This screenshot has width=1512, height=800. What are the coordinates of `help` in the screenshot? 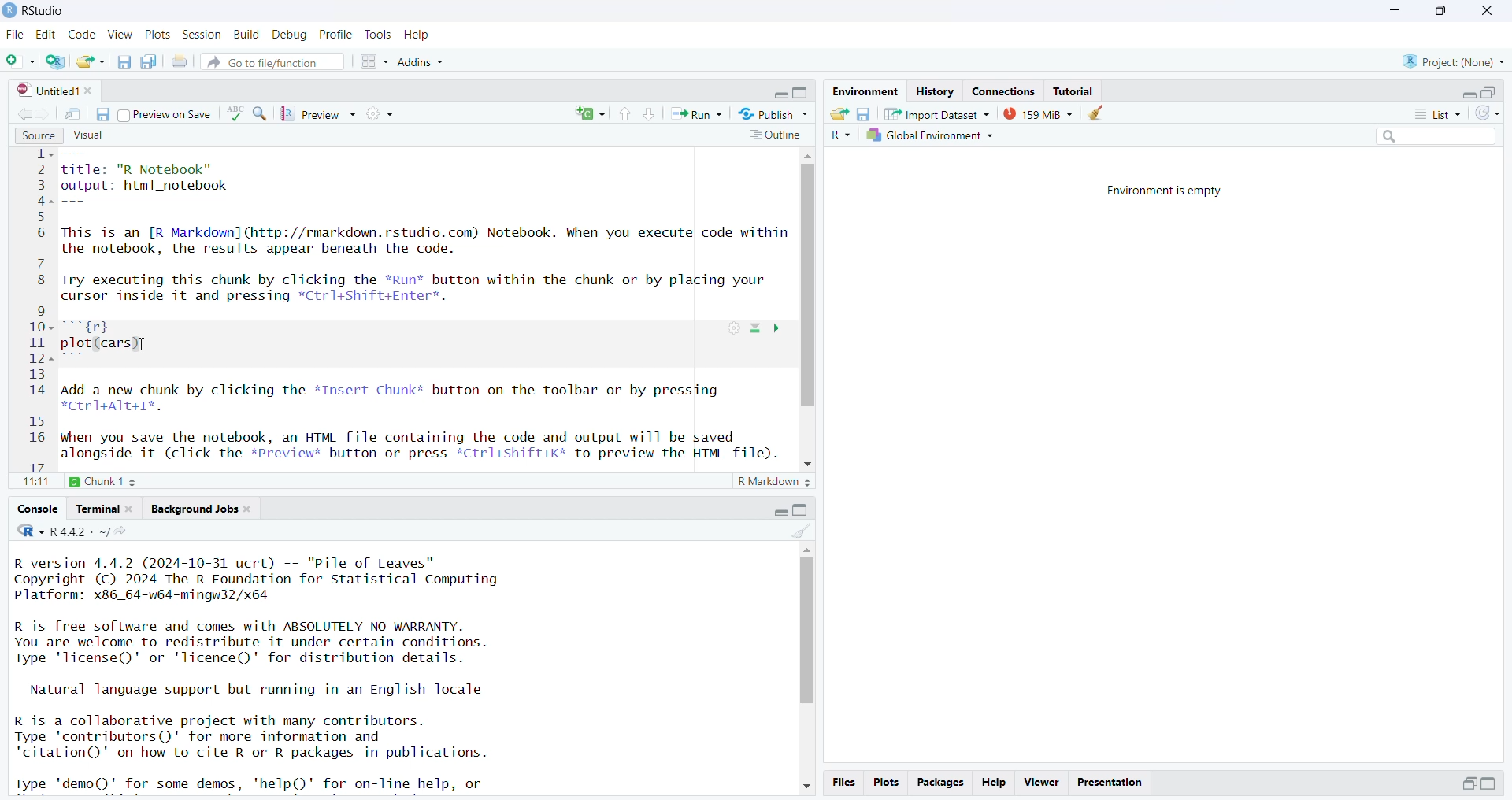 It's located at (995, 781).